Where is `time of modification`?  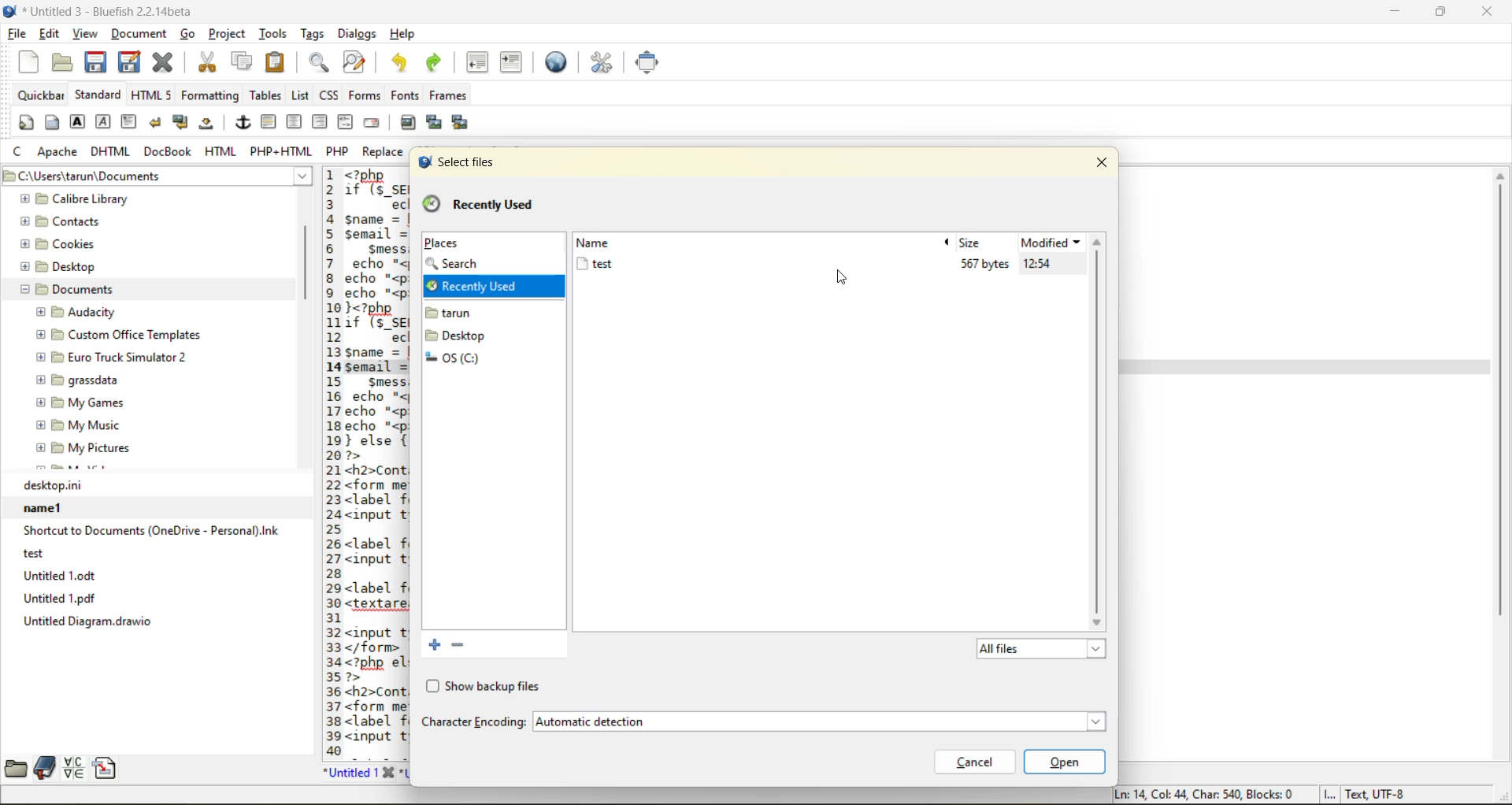 time of modification is located at coordinates (1052, 265).